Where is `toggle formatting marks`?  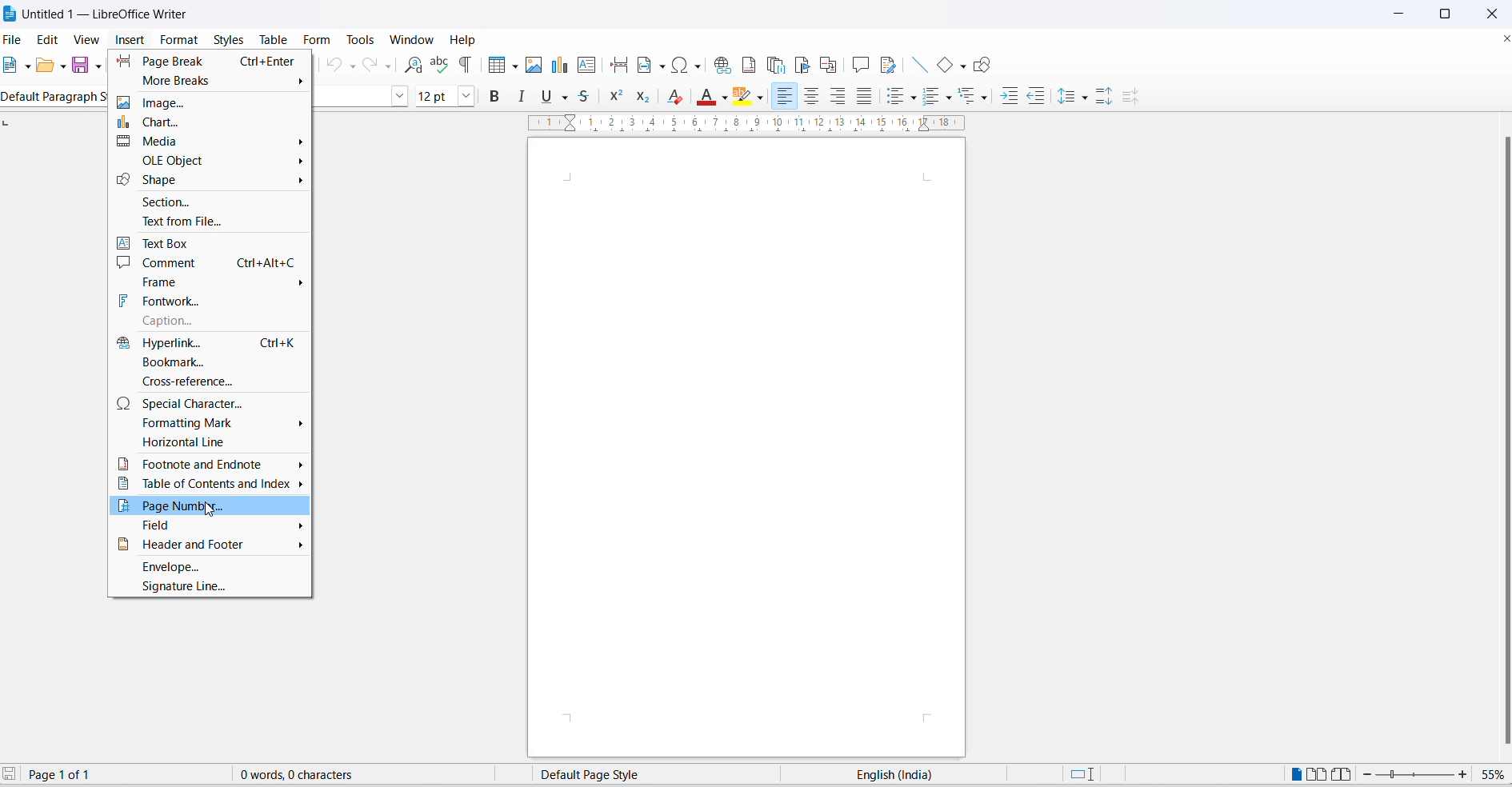 toggle formatting marks is located at coordinates (466, 66).